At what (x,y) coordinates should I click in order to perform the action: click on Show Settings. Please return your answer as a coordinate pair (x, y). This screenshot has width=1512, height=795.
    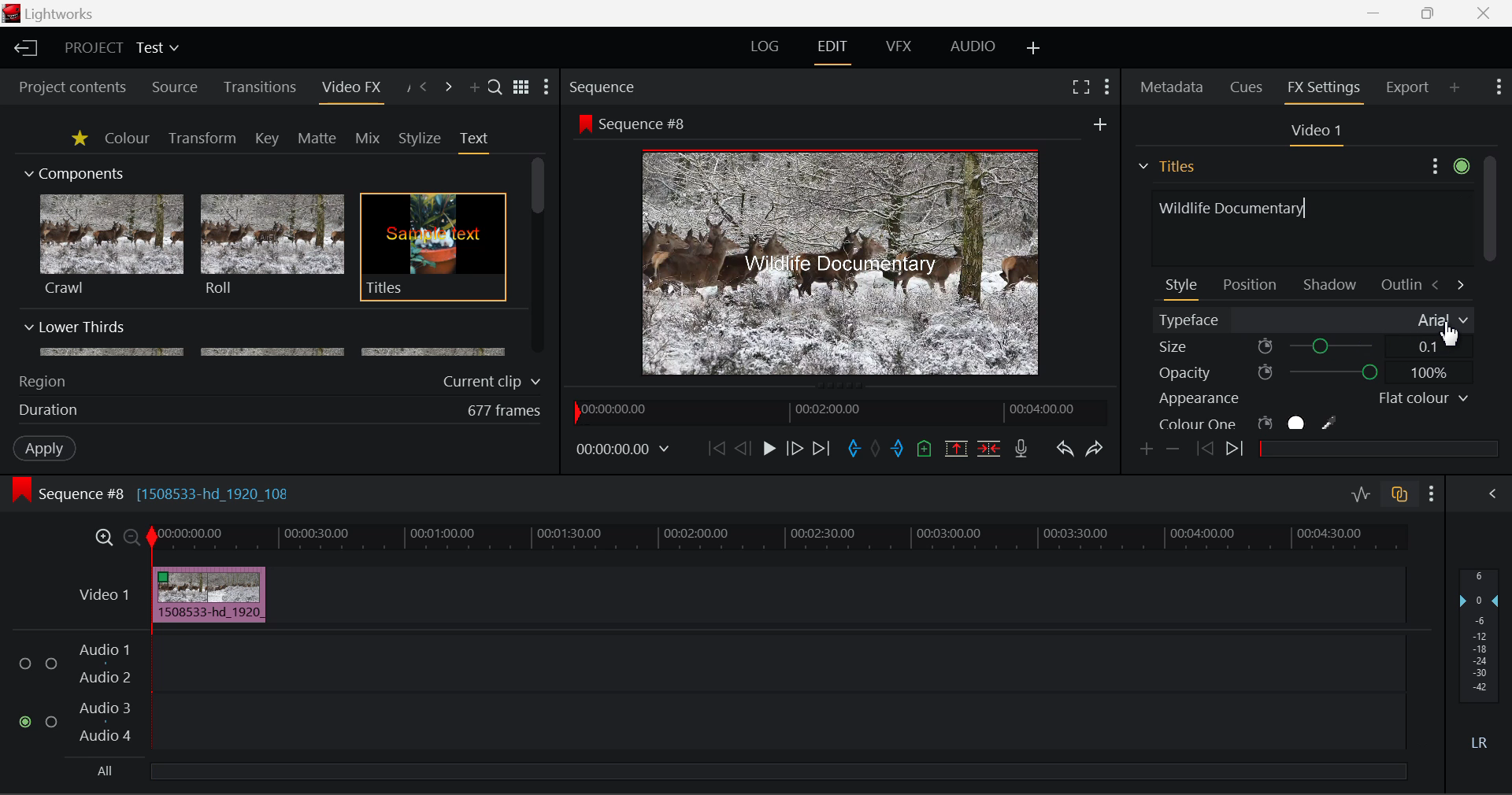
    Looking at the image, I should click on (1109, 87).